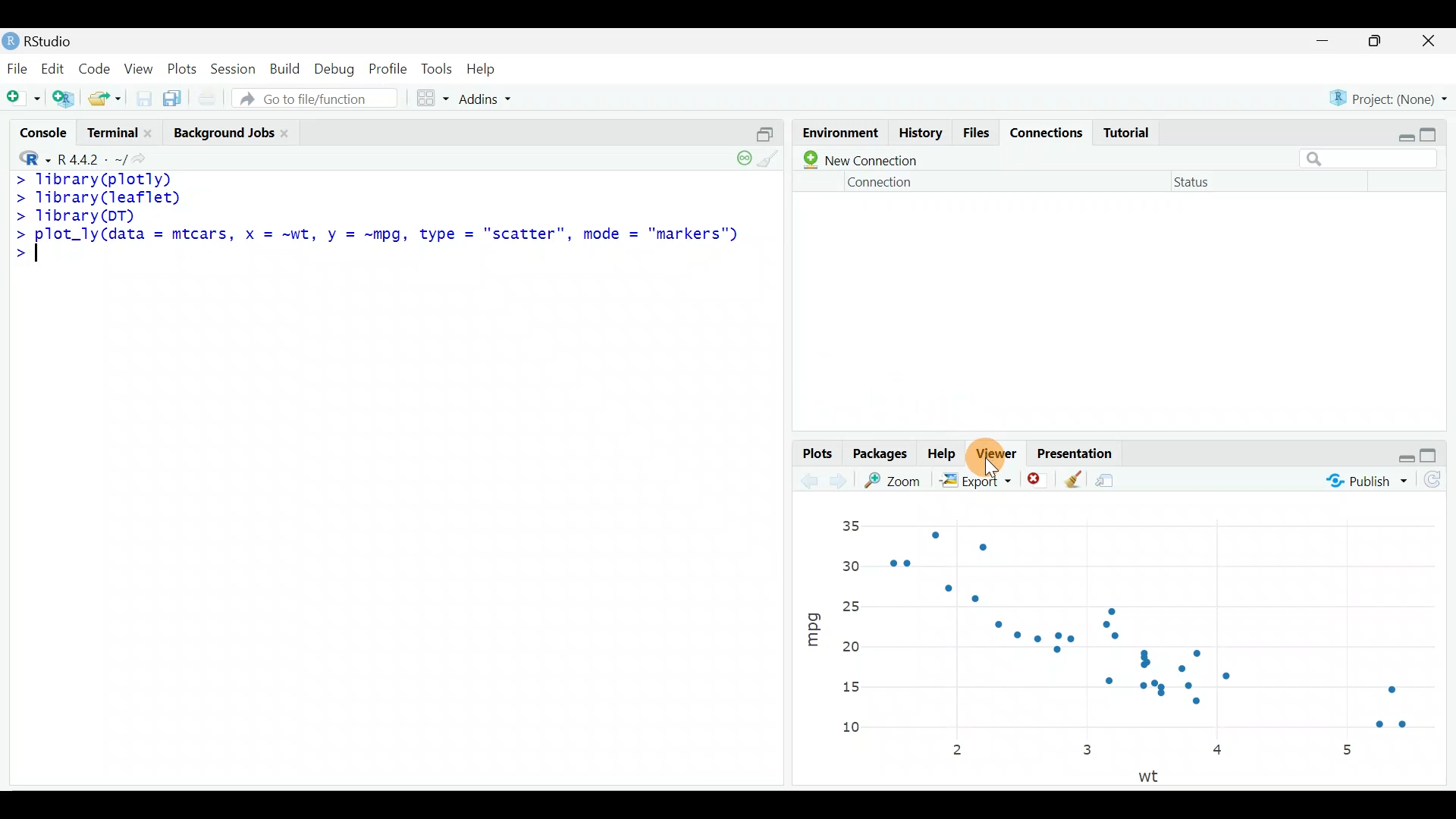  Describe the element at coordinates (836, 132) in the screenshot. I see `Environment` at that location.